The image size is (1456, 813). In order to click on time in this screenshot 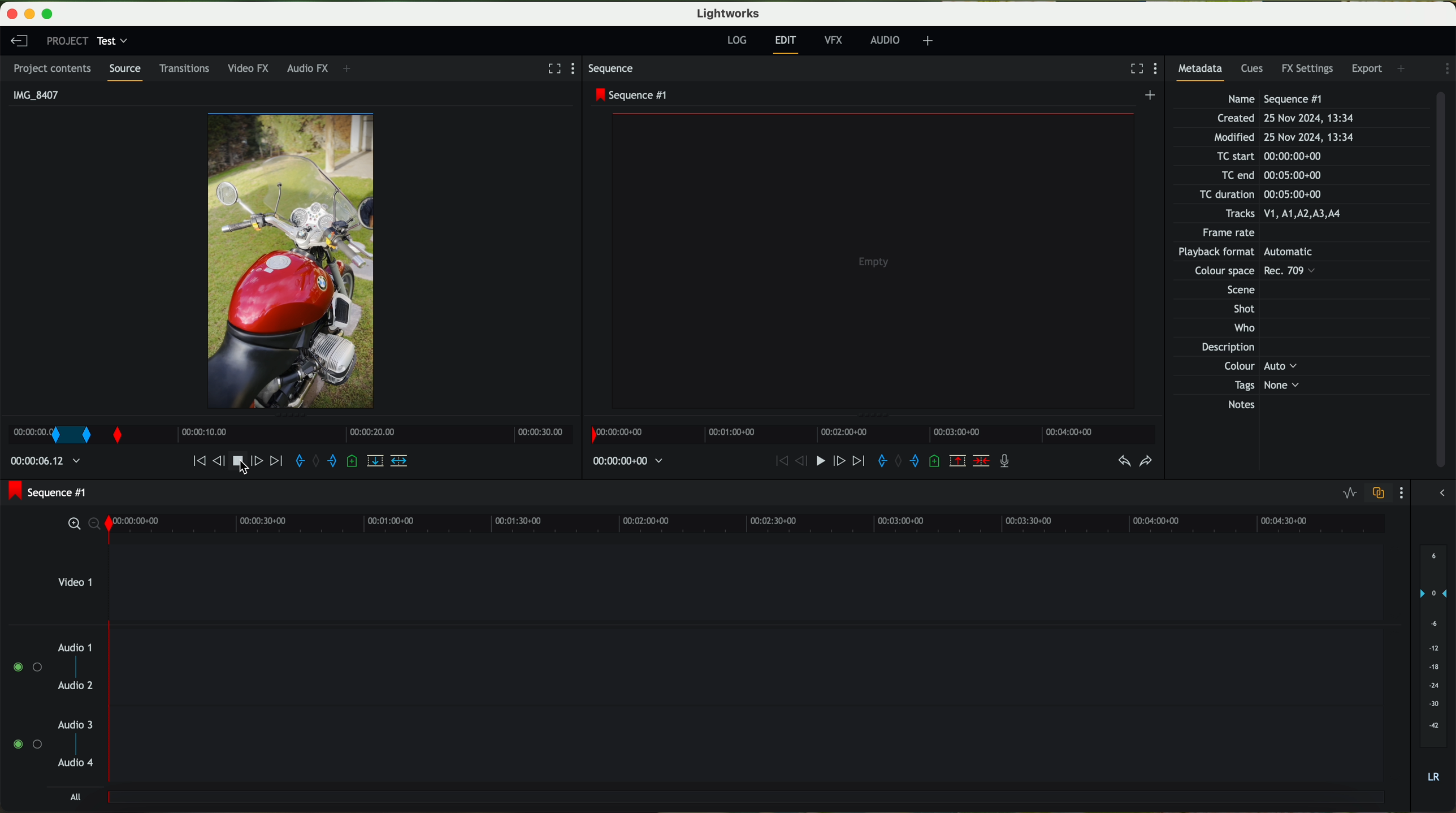, I will do `click(48, 462)`.